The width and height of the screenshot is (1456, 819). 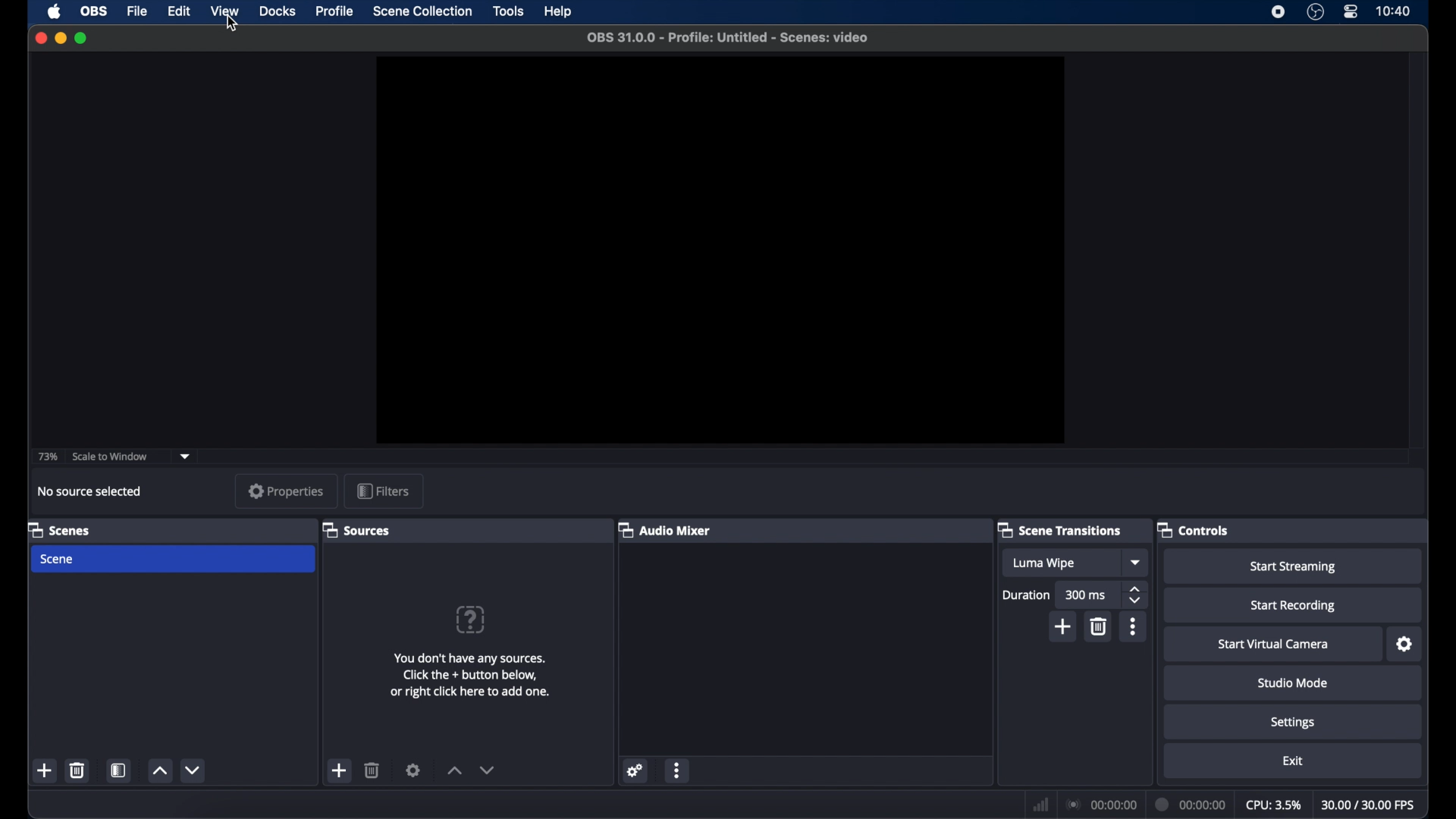 What do you see at coordinates (281, 491) in the screenshot?
I see `properties` at bounding box center [281, 491].